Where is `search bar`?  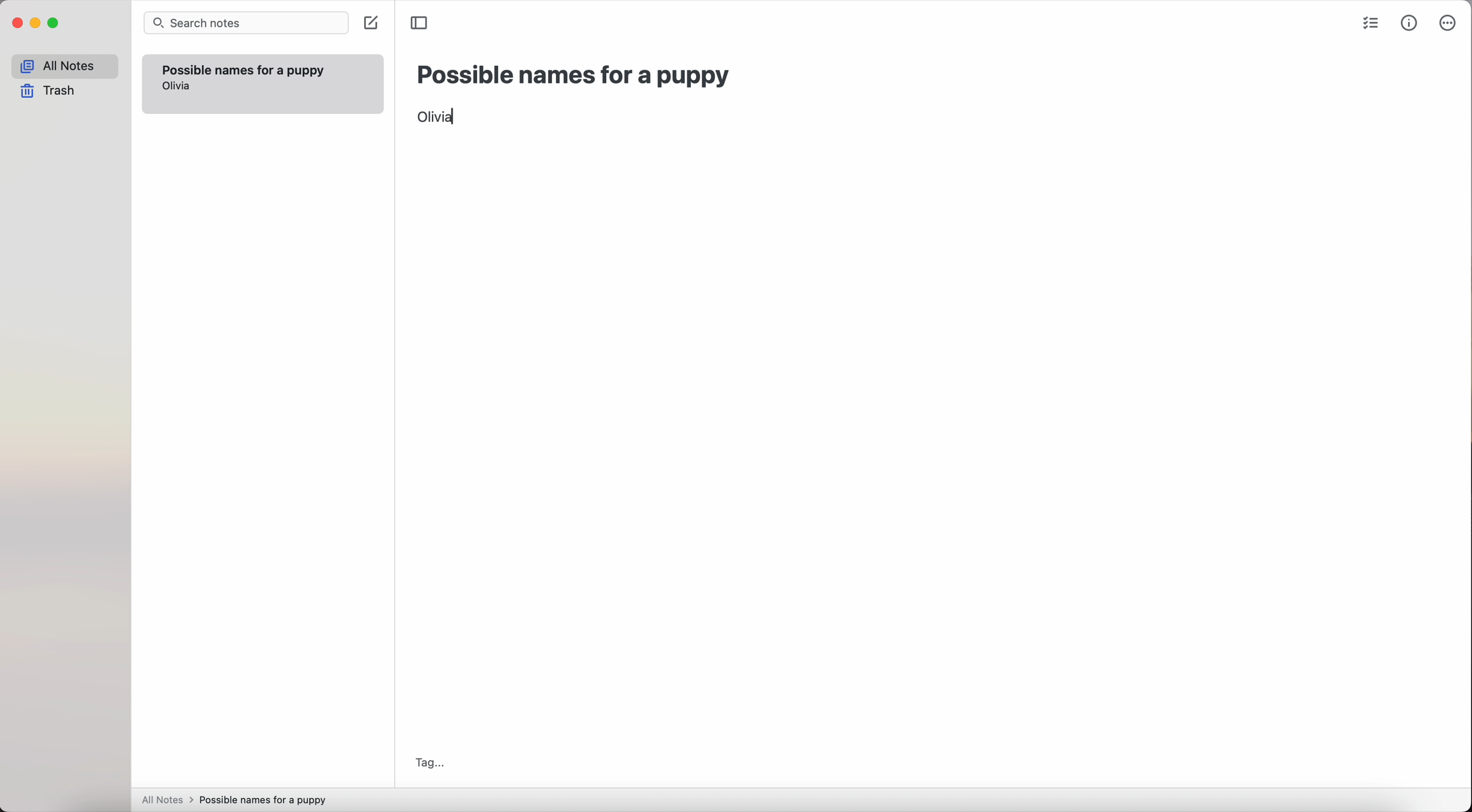 search bar is located at coordinates (246, 24).